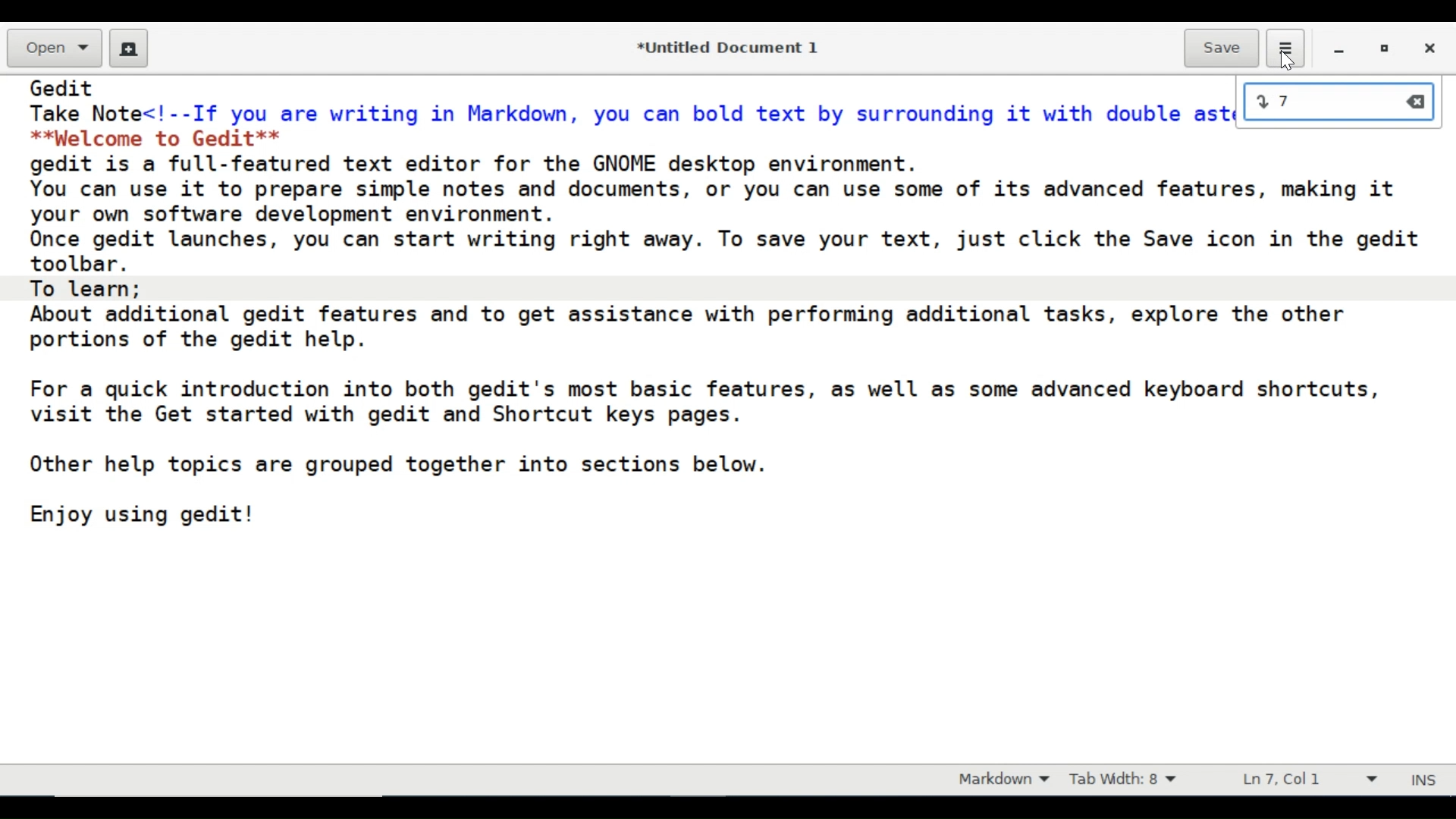 The height and width of the screenshot is (819, 1456). I want to click on gedit is a full-featured text editor for the GNOME desktop environment., so click(485, 162).